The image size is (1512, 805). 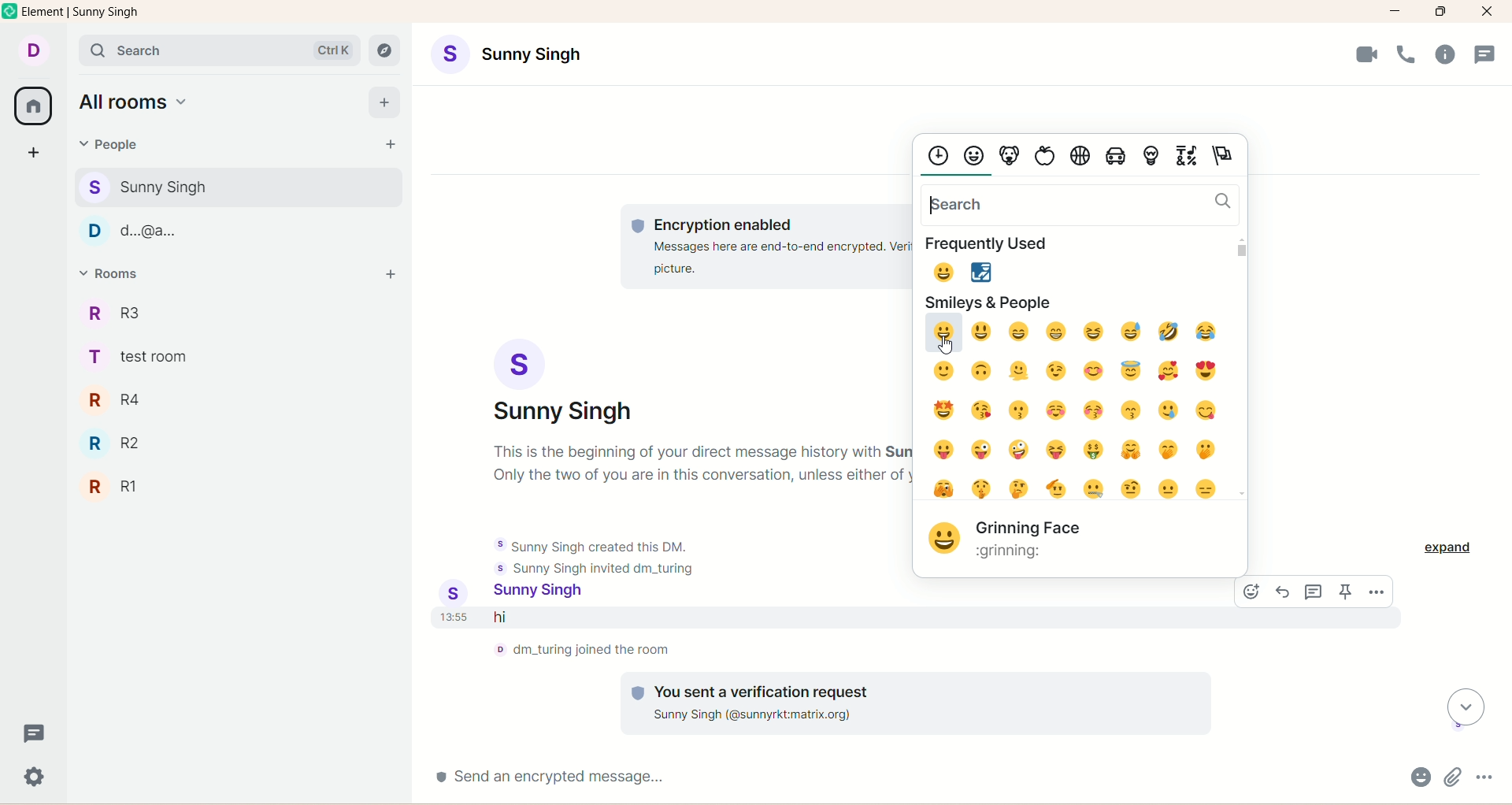 I want to click on minimize, so click(x=1395, y=12).